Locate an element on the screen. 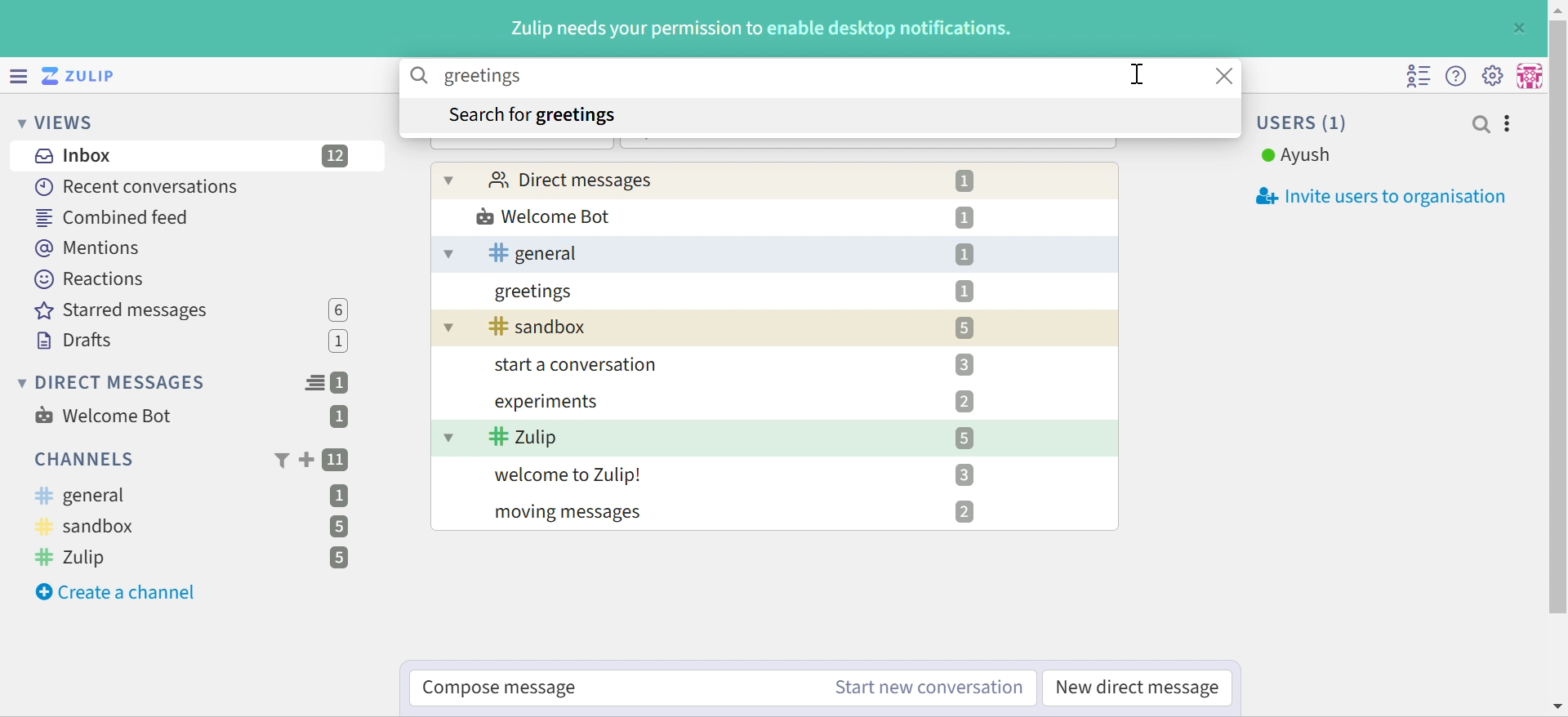  Inbox is located at coordinates (71, 156).